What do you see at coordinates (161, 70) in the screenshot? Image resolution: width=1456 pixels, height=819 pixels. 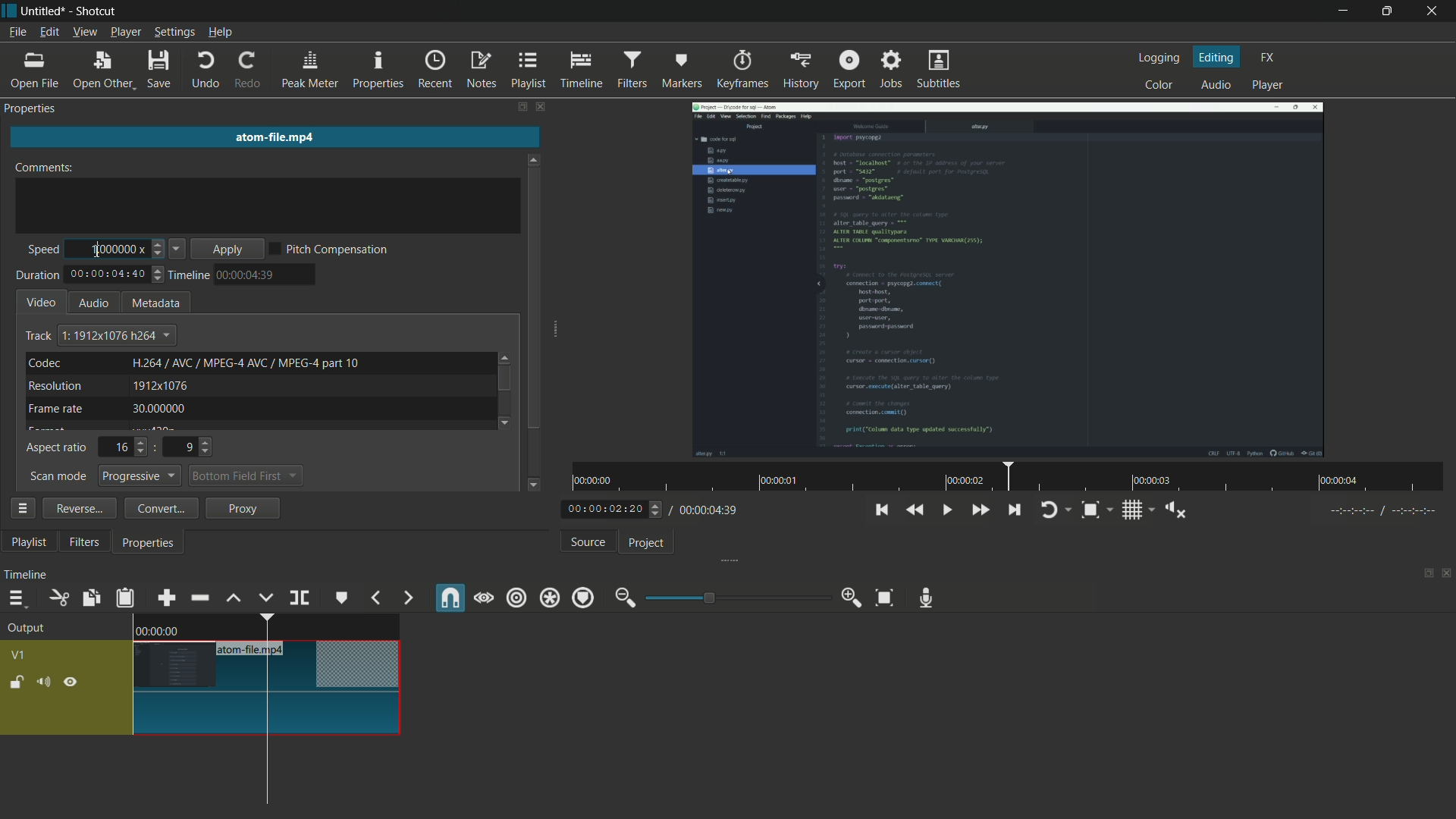 I see `save` at bounding box center [161, 70].